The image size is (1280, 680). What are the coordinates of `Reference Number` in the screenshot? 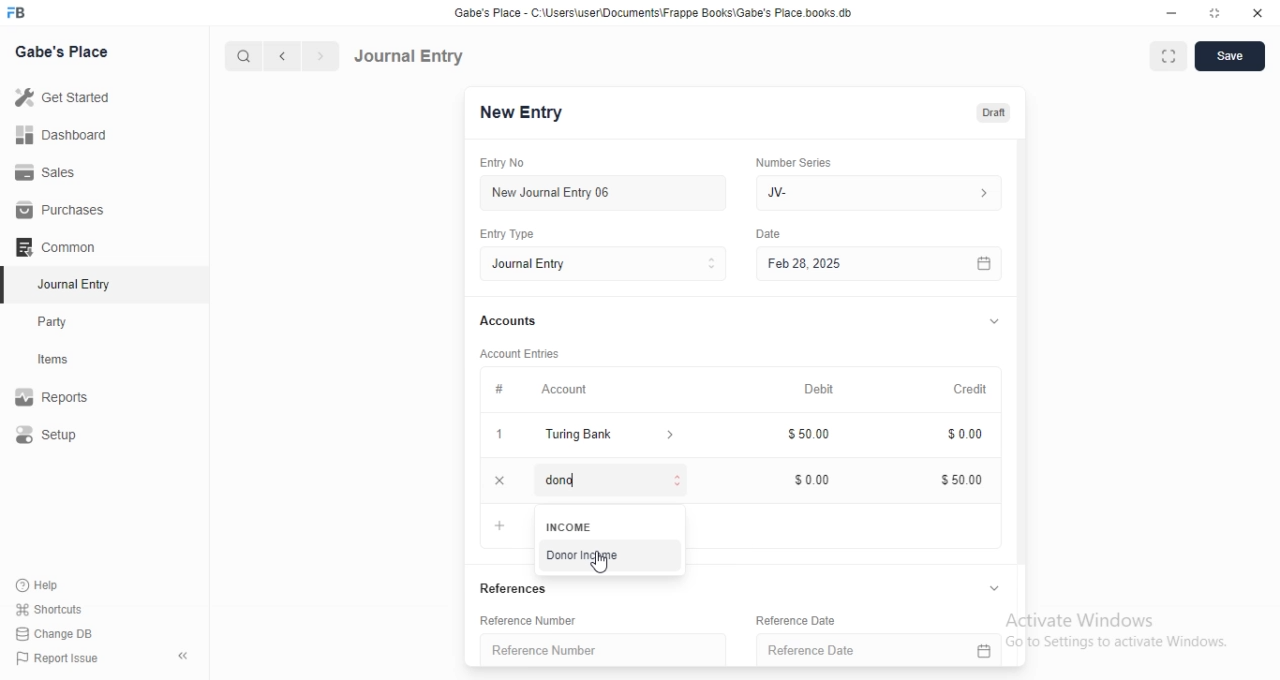 It's located at (540, 621).